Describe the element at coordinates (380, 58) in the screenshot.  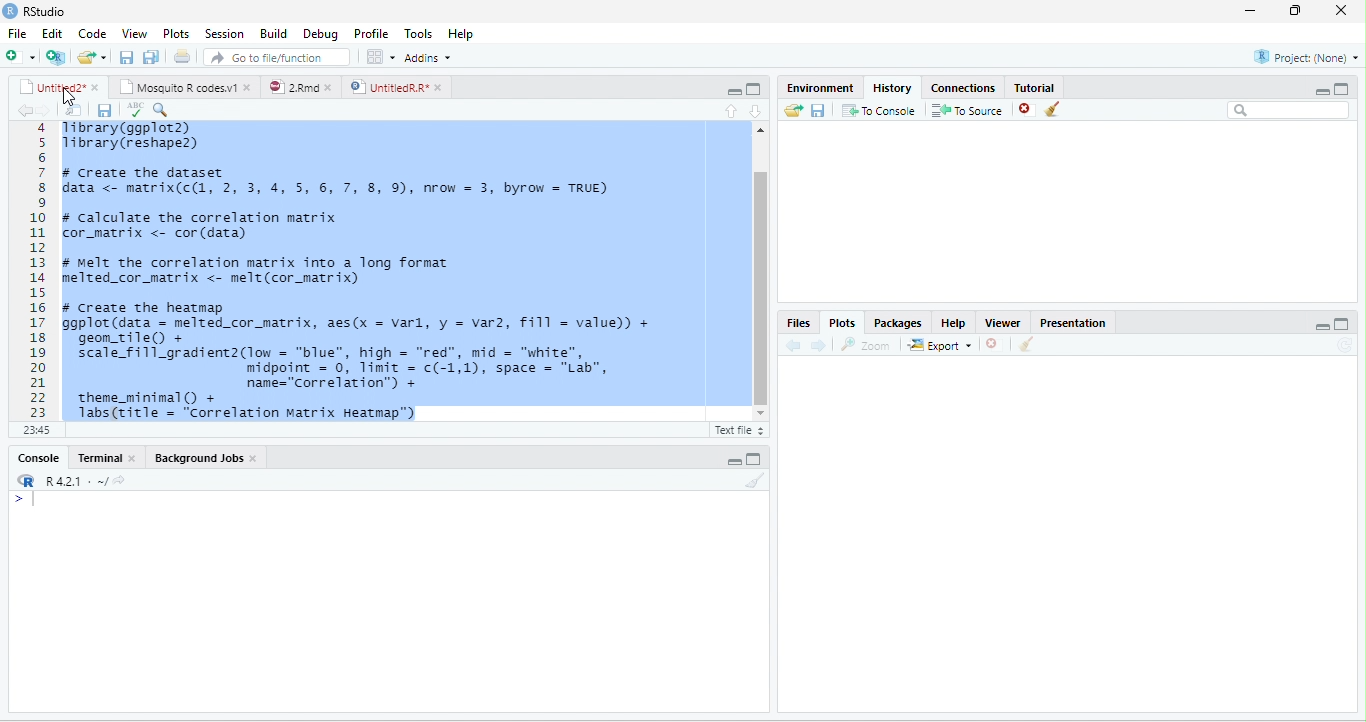
I see `grid` at that location.